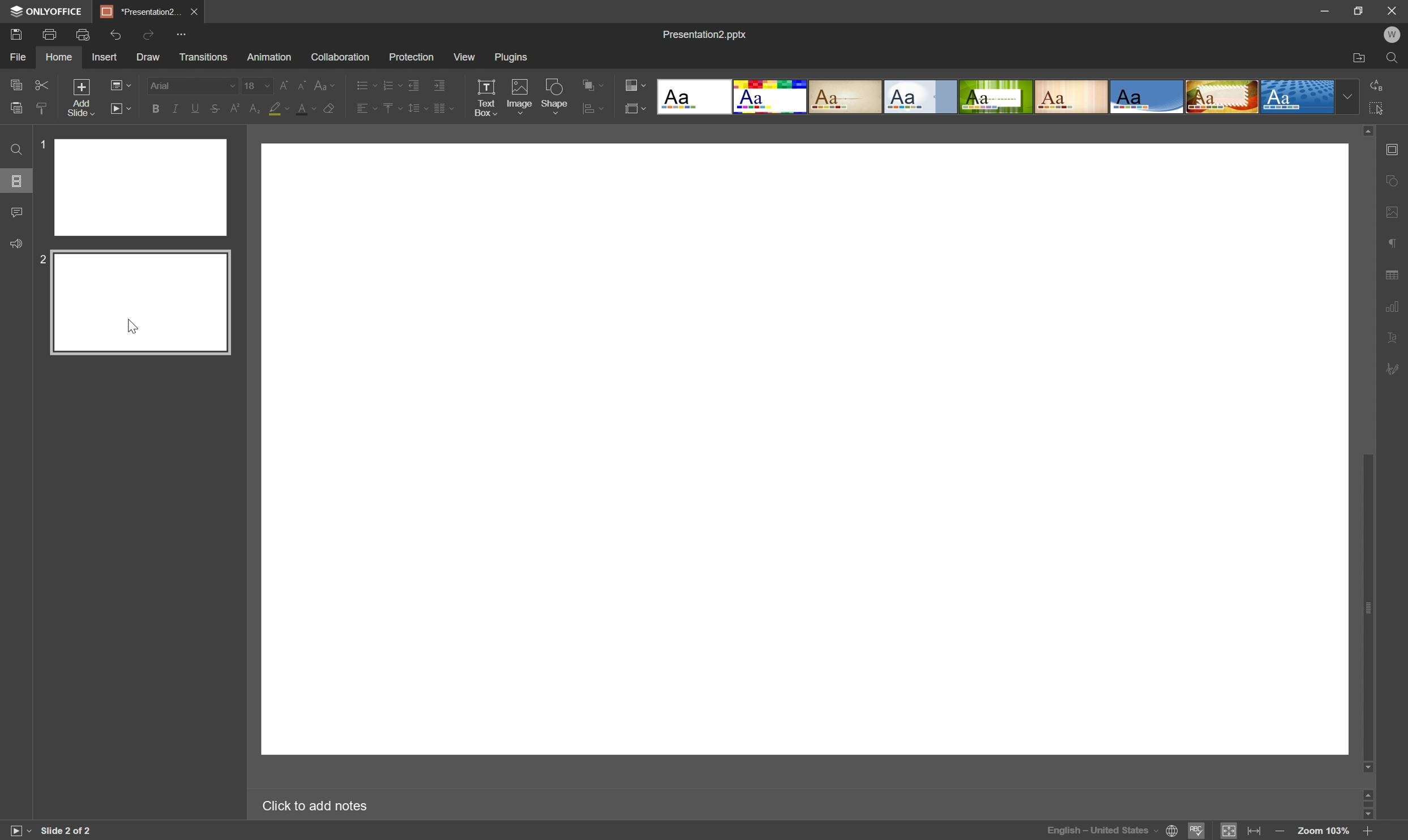 This screenshot has height=840, width=1408. What do you see at coordinates (49, 11) in the screenshot?
I see `ONLYOFFICE` at bounding box center [49, 11].